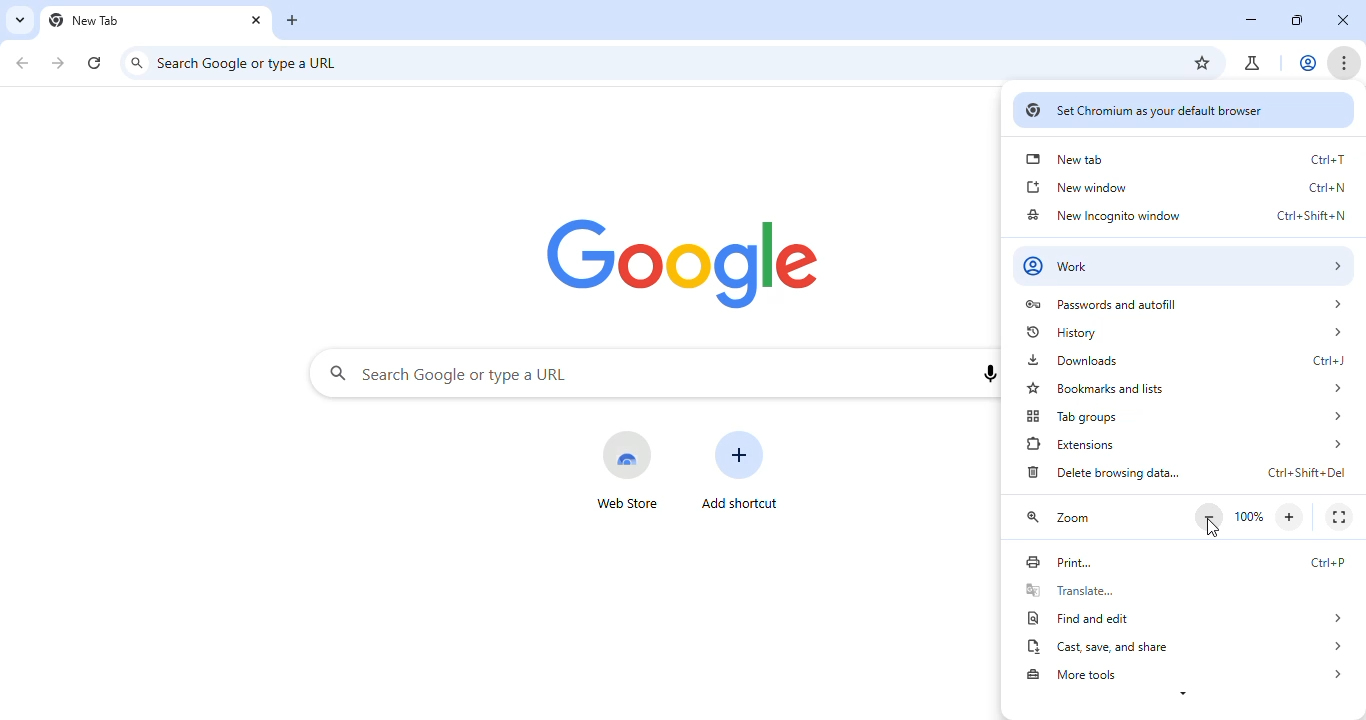 The height and width of the screenshot is (720, 1366). Describe the element at coordinates (1182, 111) in the screenshot. I see `set chromium as your default browser` at that location.